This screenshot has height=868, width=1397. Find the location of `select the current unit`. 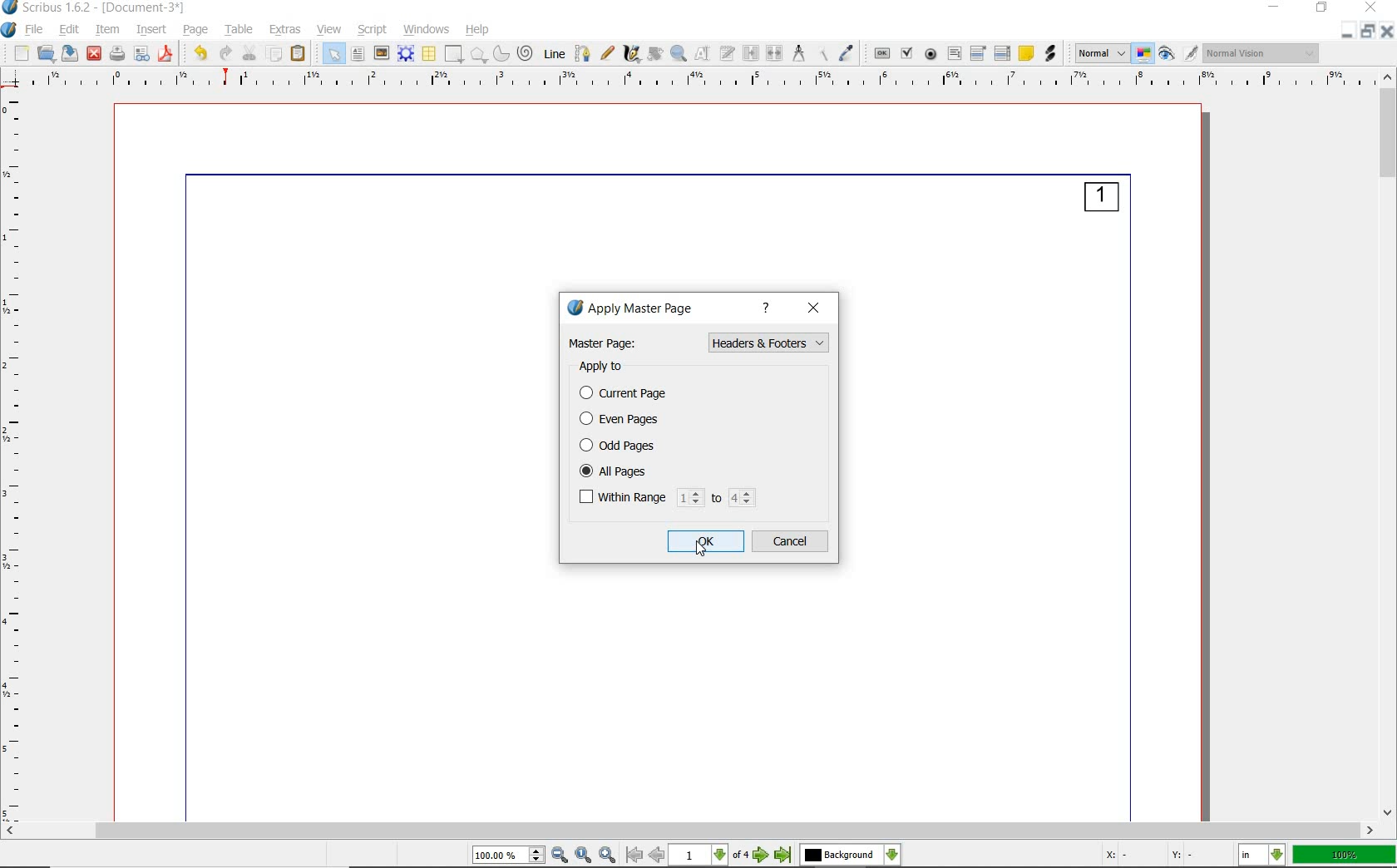

select the current unit is located at coordinates (1262, 854).